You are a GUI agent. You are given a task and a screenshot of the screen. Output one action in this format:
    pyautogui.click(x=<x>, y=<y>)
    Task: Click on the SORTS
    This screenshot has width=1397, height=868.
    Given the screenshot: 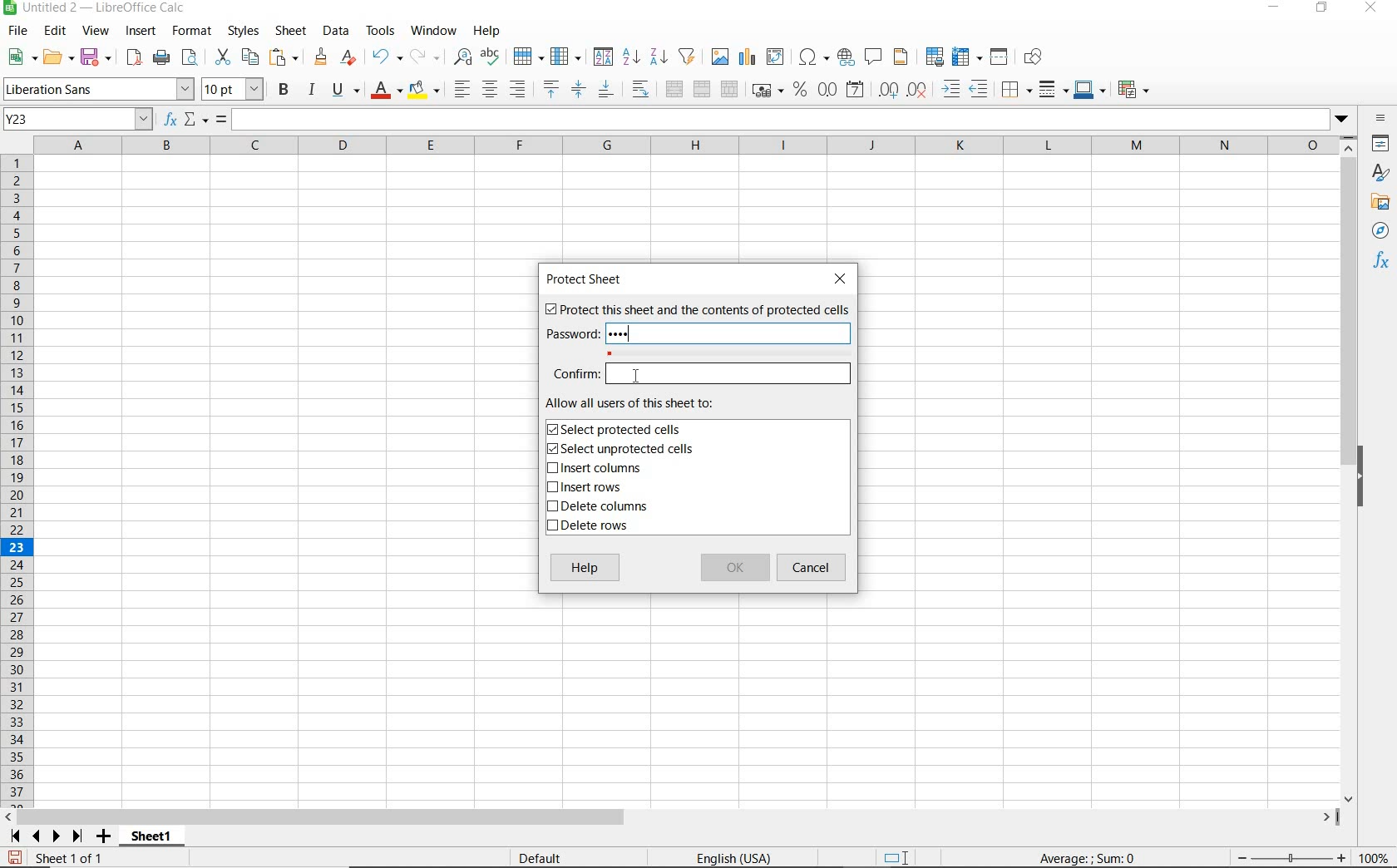 What is the action you would take?
    pyautogui.click(x=604, y=57)
    